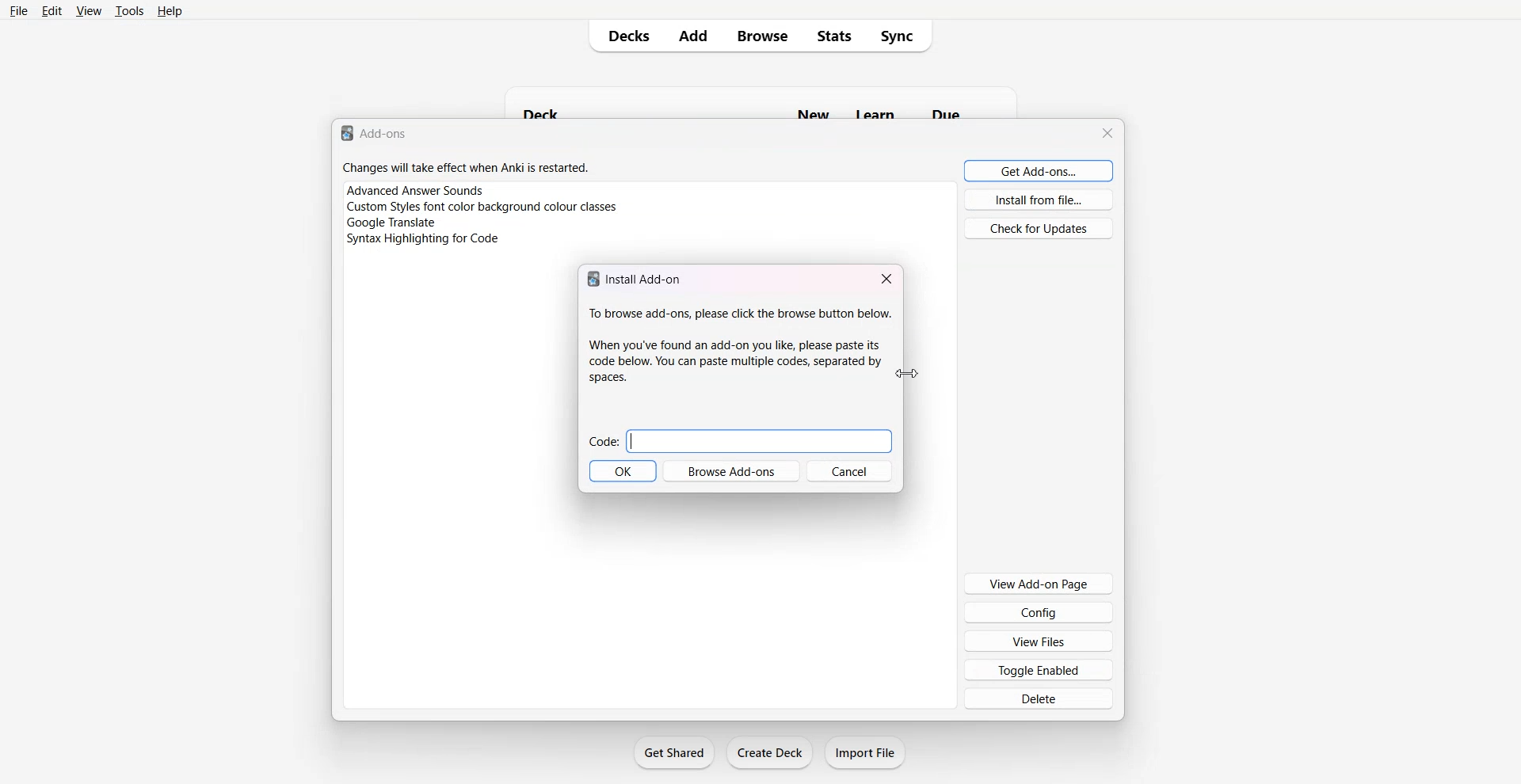 The image size is (1521, 784). I want to click on Browse, so click(763, 36).